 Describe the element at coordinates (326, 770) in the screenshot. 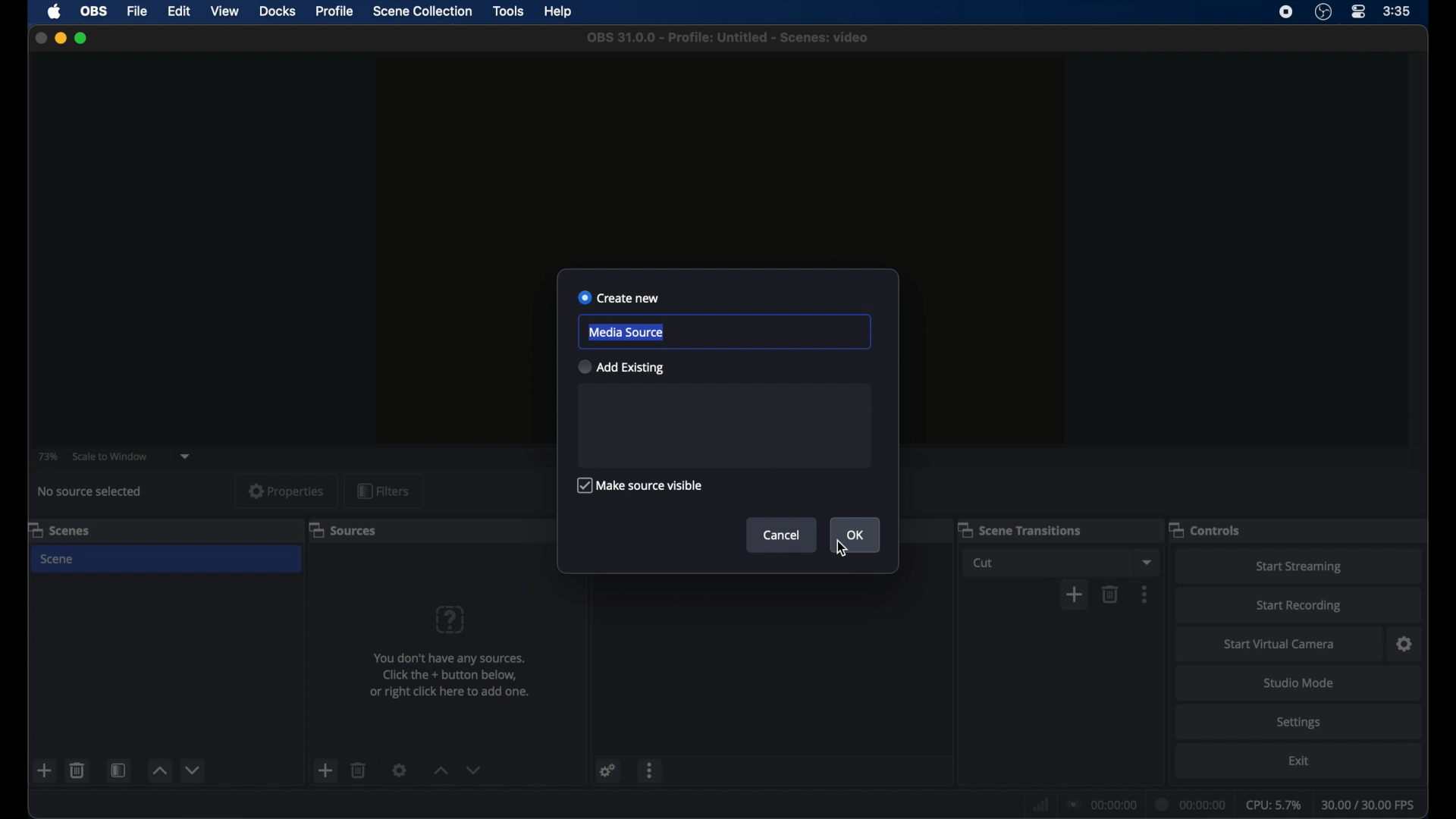

I see `add` at that location.